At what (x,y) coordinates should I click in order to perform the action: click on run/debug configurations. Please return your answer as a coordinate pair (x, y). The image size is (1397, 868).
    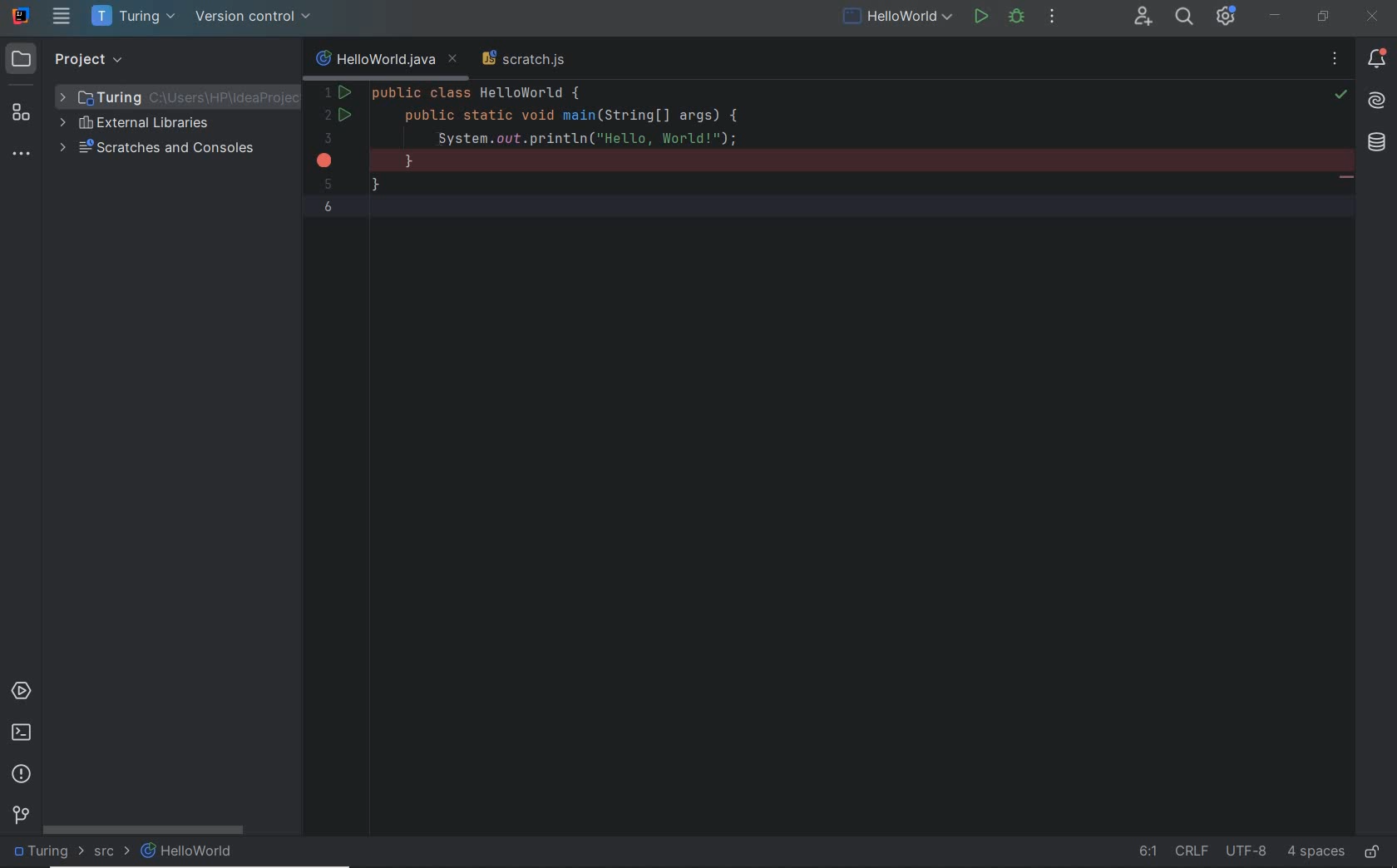
    Looking at the image, I should click on (898, 17).